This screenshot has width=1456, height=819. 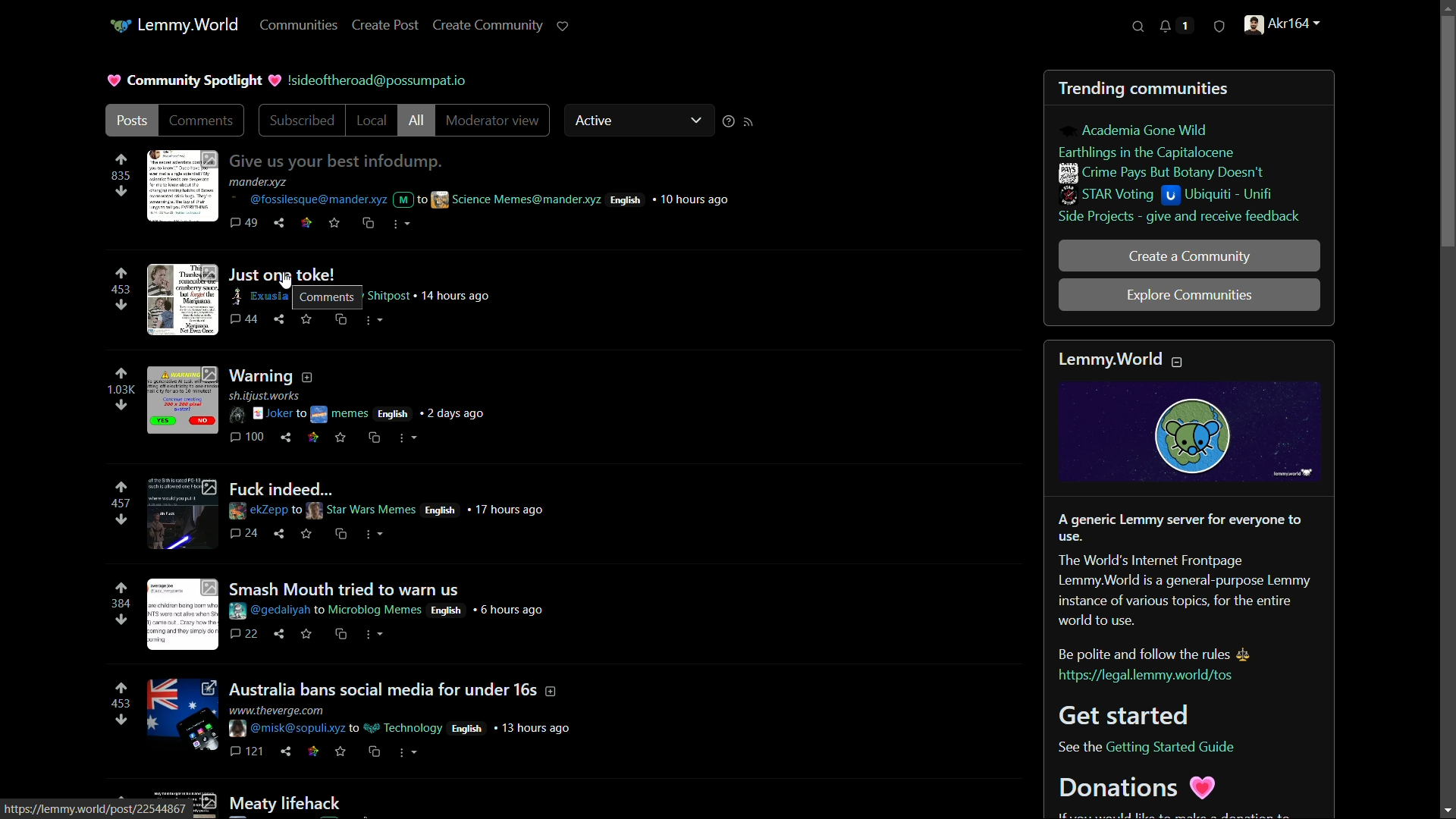 What do you see at coordinates (1108, 196) in the screenshot?
I see `star voting` at bounding box center [1108, 196].